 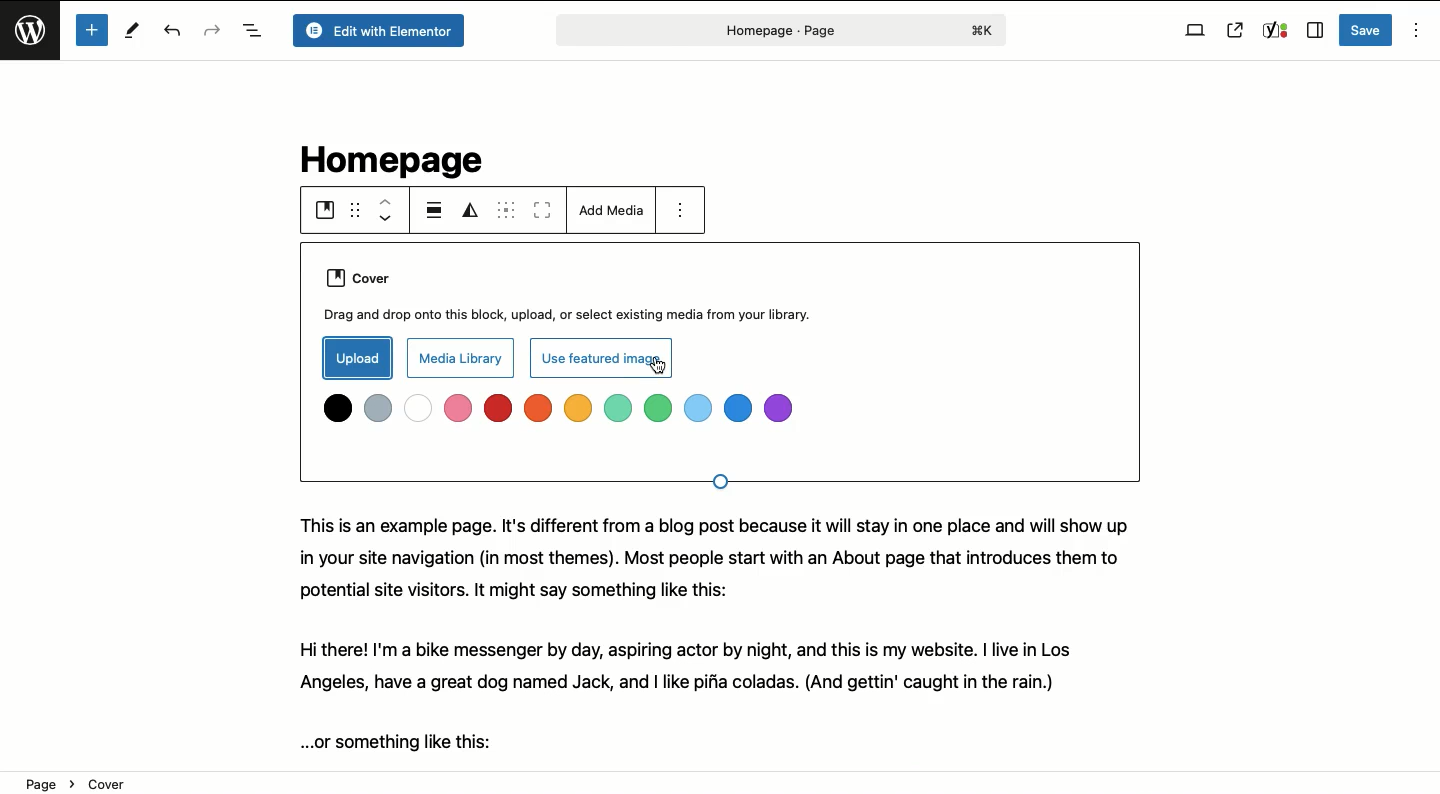 What do you see at coordinates (91, 30) in the screenshot?
I see `Add new block` at bounding box center [91, 30].